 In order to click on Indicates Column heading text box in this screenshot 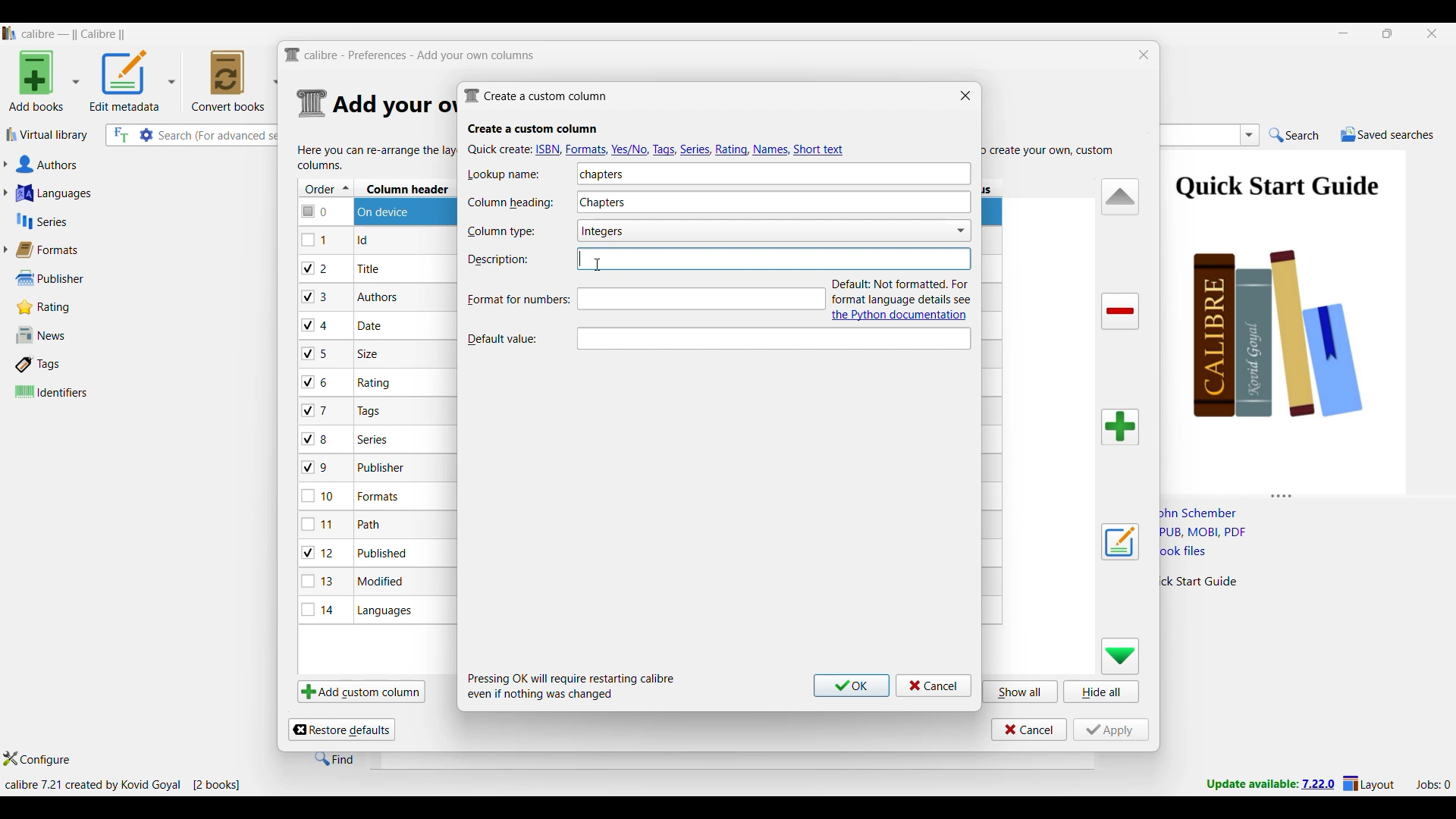, I will do `click(510, 203)`.